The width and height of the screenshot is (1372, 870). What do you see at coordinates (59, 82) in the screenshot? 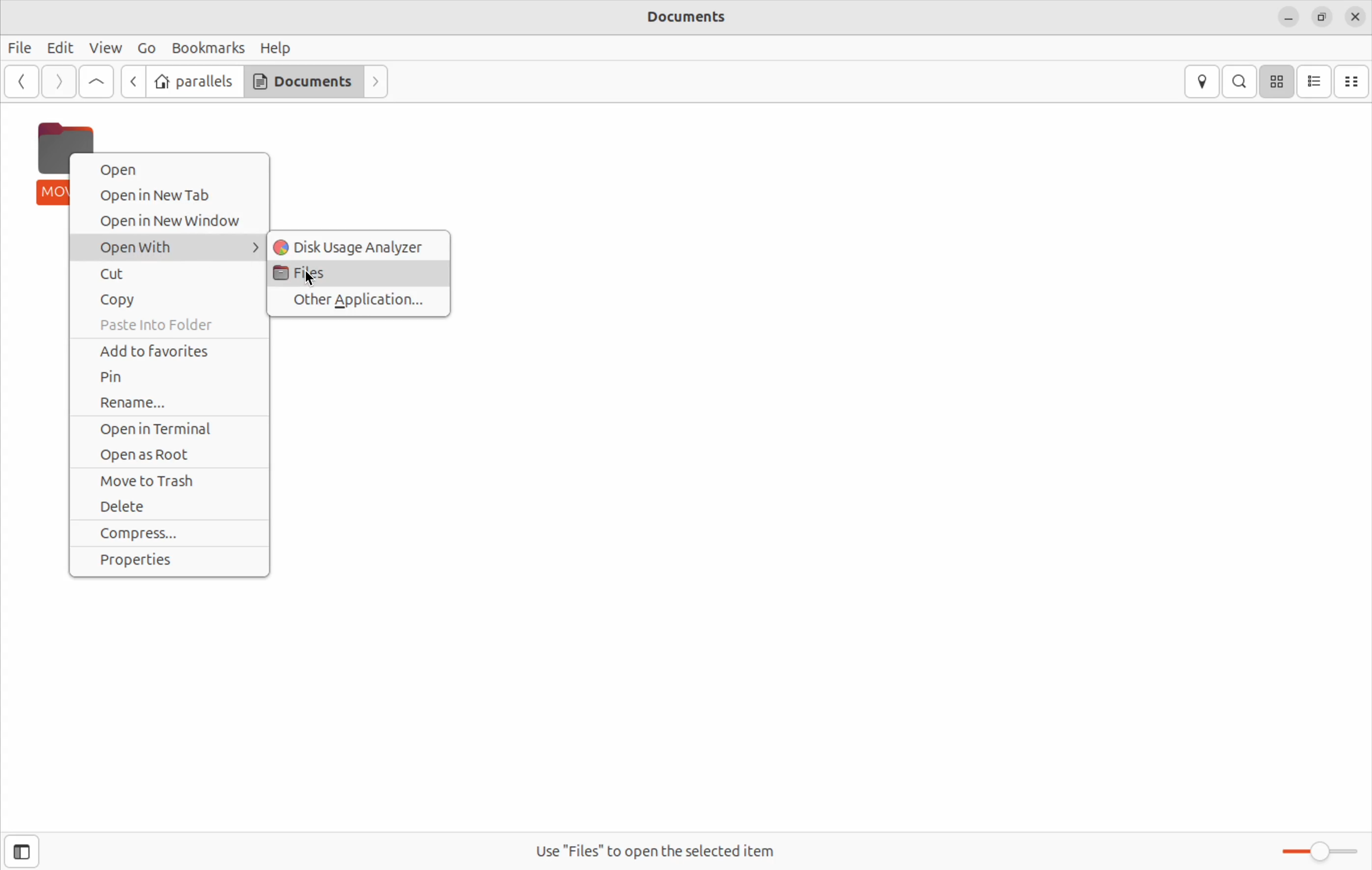
I see `forward` at bounding box center [59, 82].